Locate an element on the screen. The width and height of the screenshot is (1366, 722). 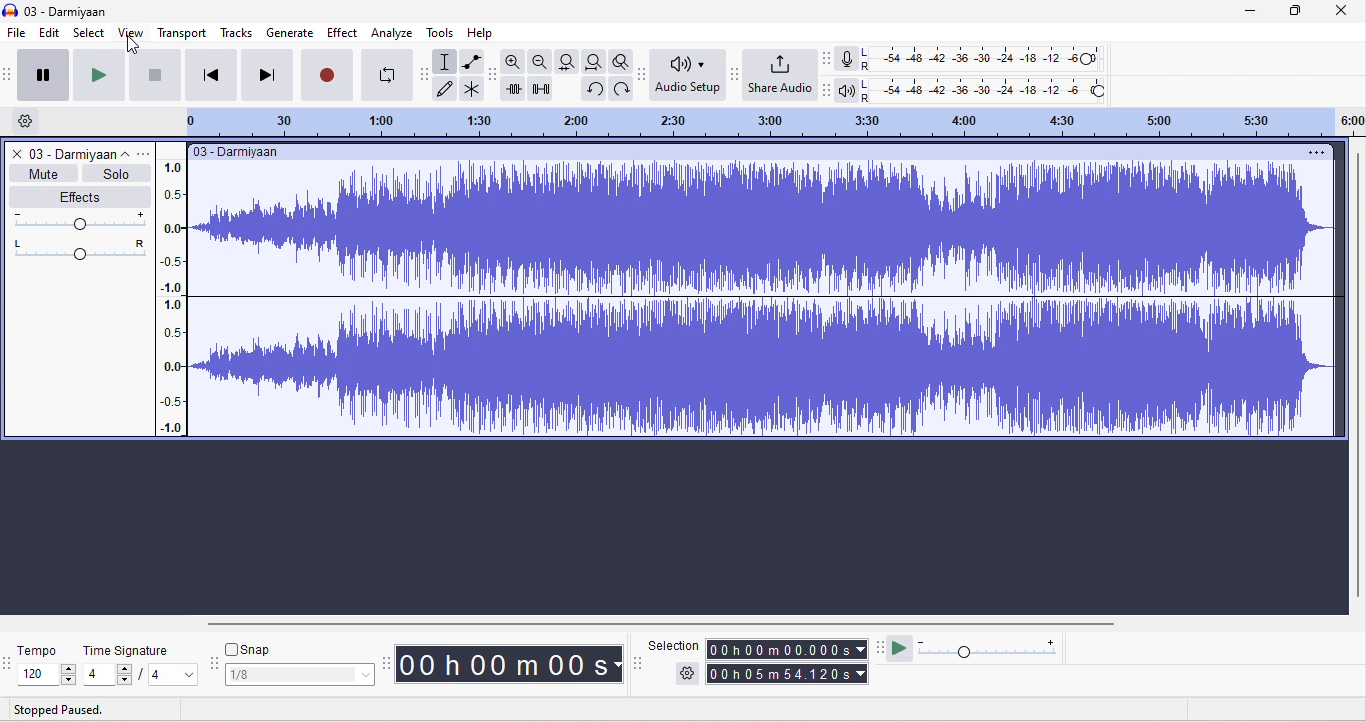
title is located at coordinates (80, 153).